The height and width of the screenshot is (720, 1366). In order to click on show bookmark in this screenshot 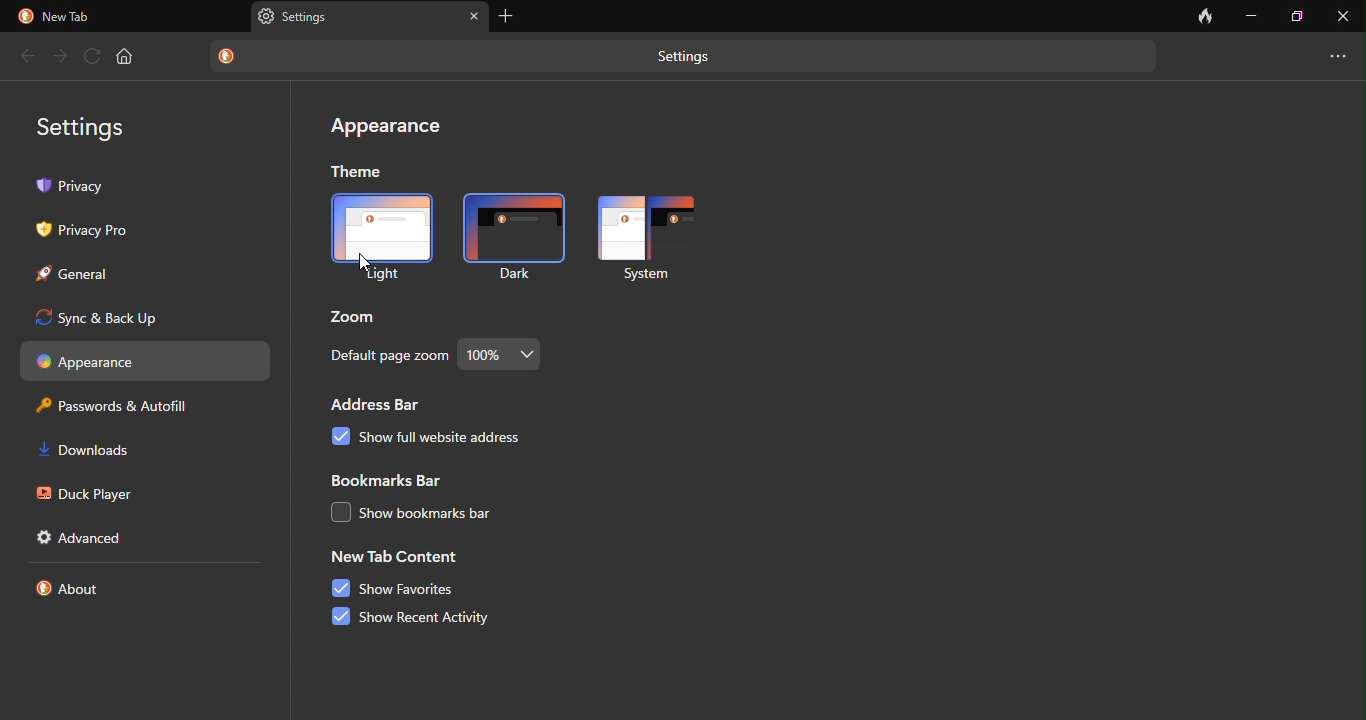, I will do `click(447, 515)`.